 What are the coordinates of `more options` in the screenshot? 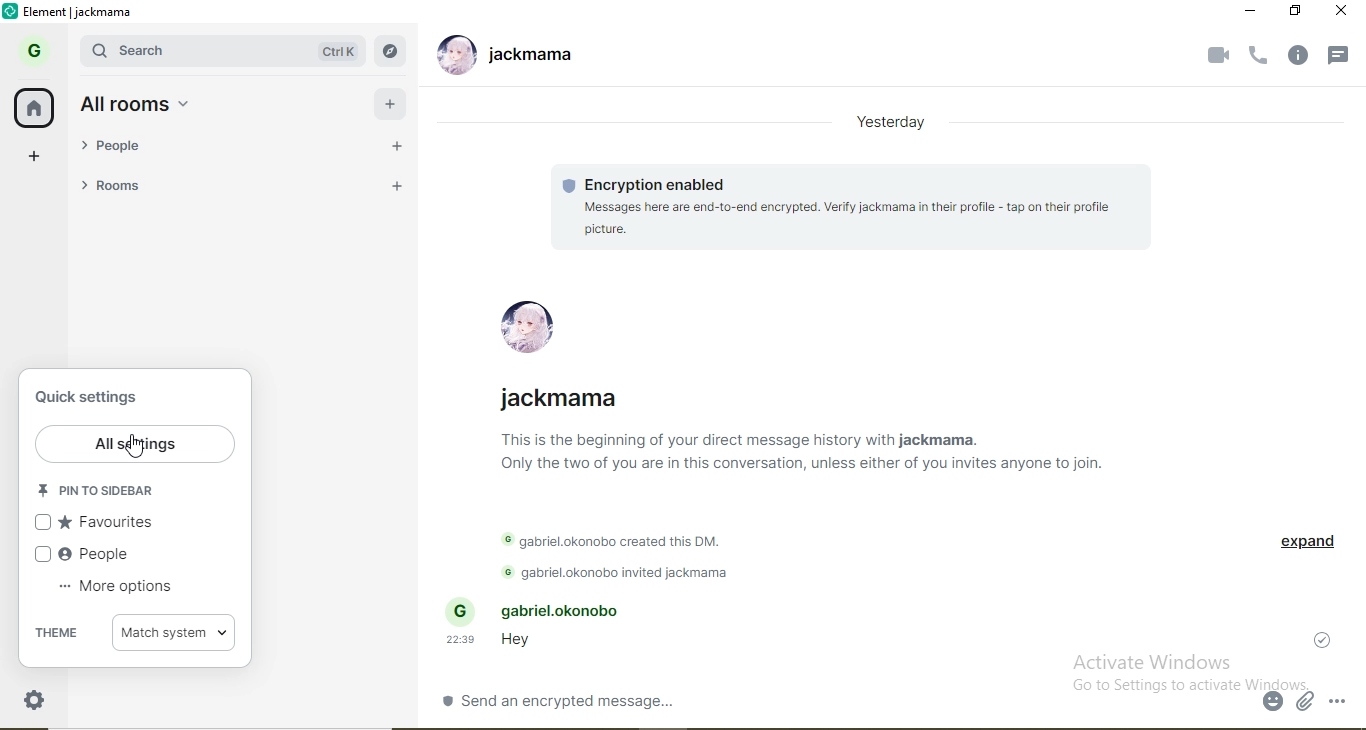 It's located at (120, 590).